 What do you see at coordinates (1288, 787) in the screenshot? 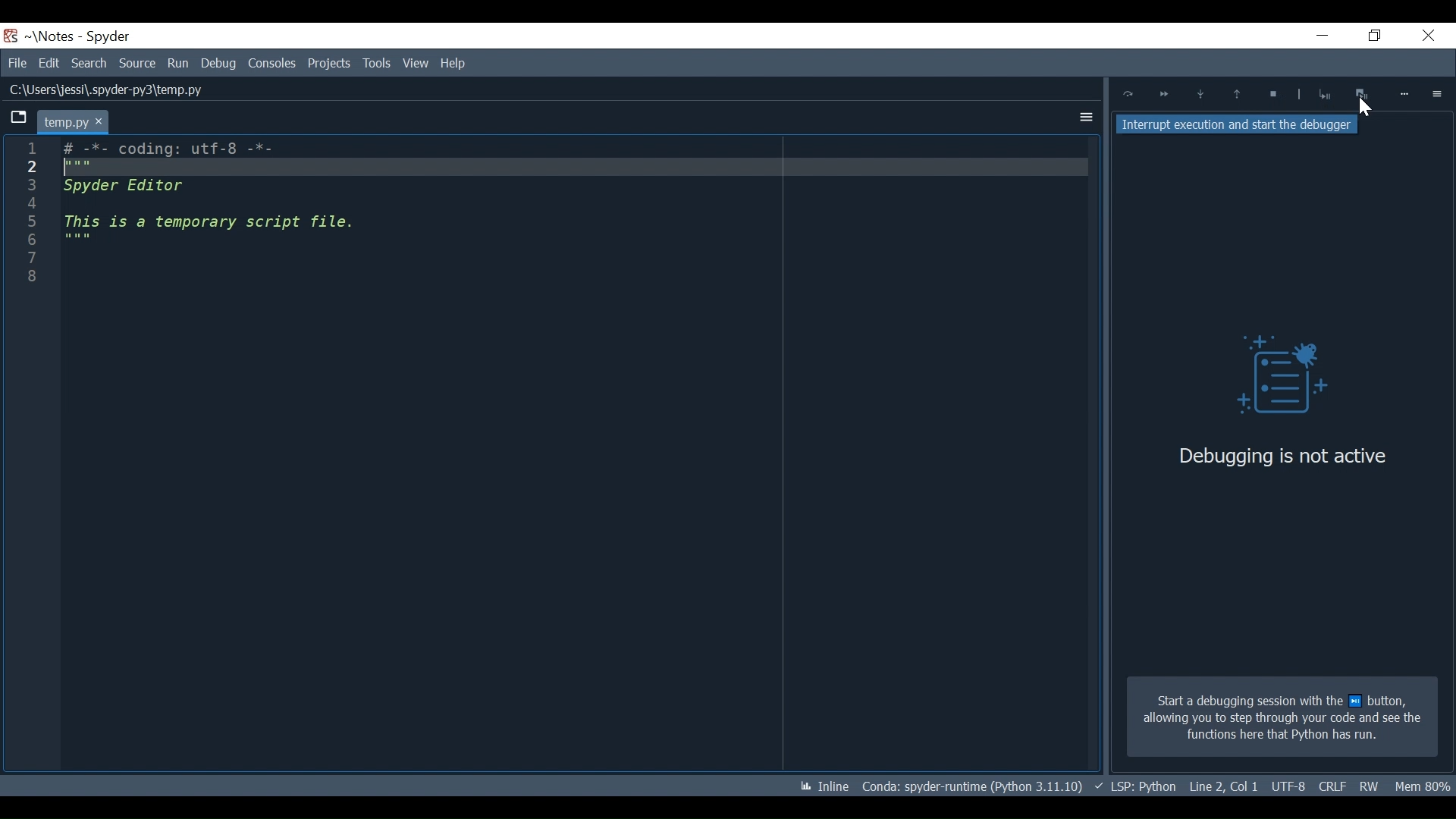
I see `Cursor Position` at bounding box center [1288, 787].